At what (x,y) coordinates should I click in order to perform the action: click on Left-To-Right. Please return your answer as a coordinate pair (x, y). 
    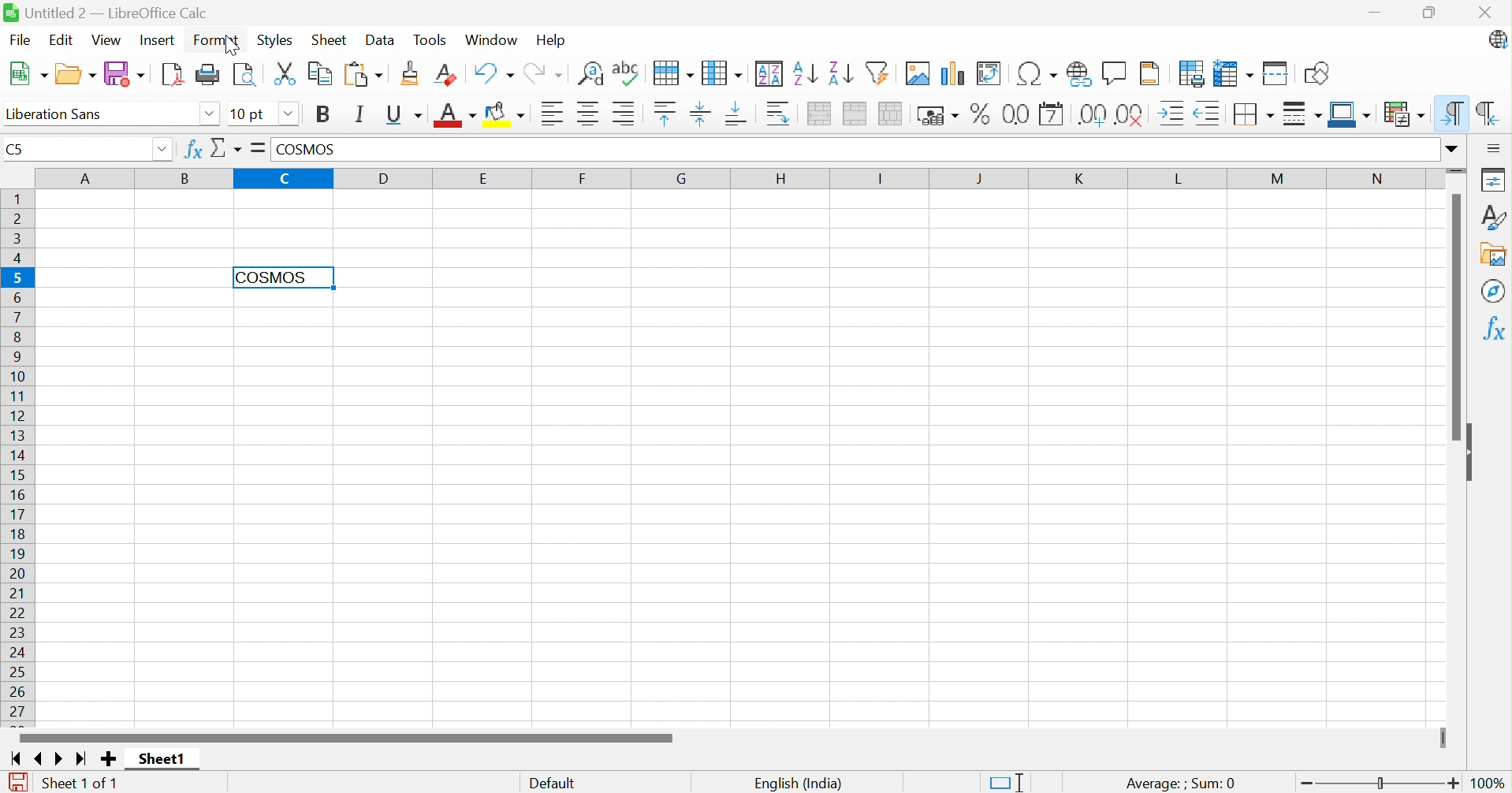
    Looking at the image, I should click on (1449, 113).